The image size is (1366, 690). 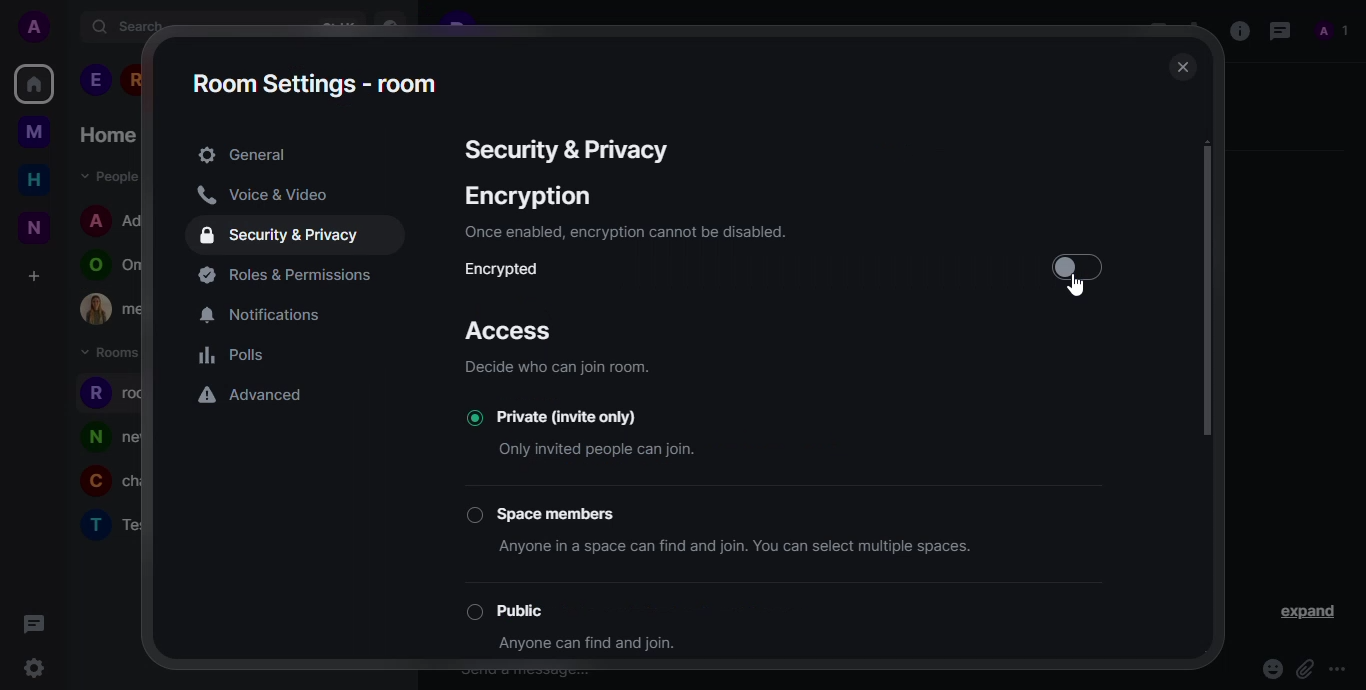 What do you see at coordinates (94, 437) in the screenshot?
I see `profile` at bounding box center [94, 437].